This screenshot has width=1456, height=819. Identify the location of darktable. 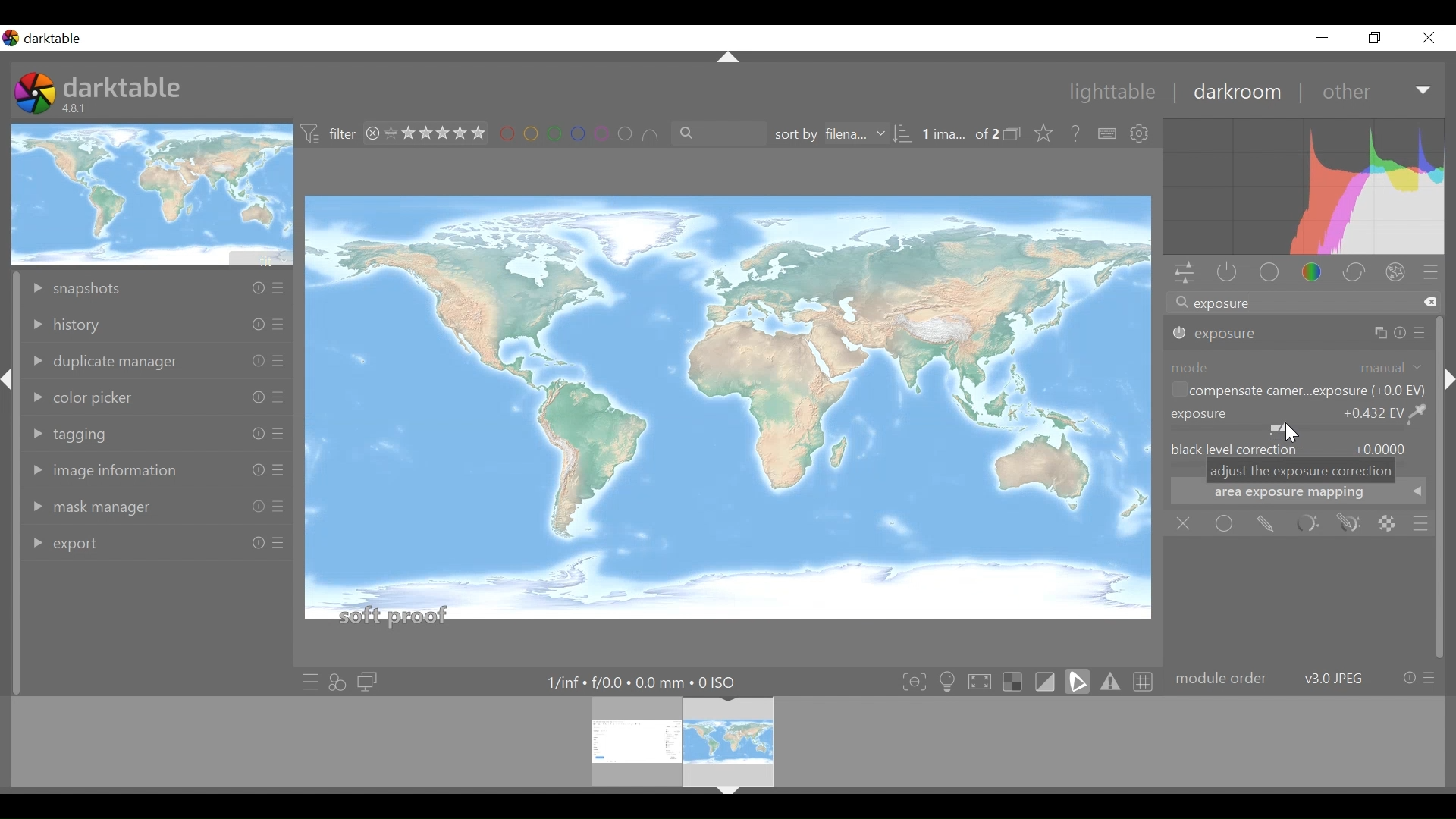
(123, 86).